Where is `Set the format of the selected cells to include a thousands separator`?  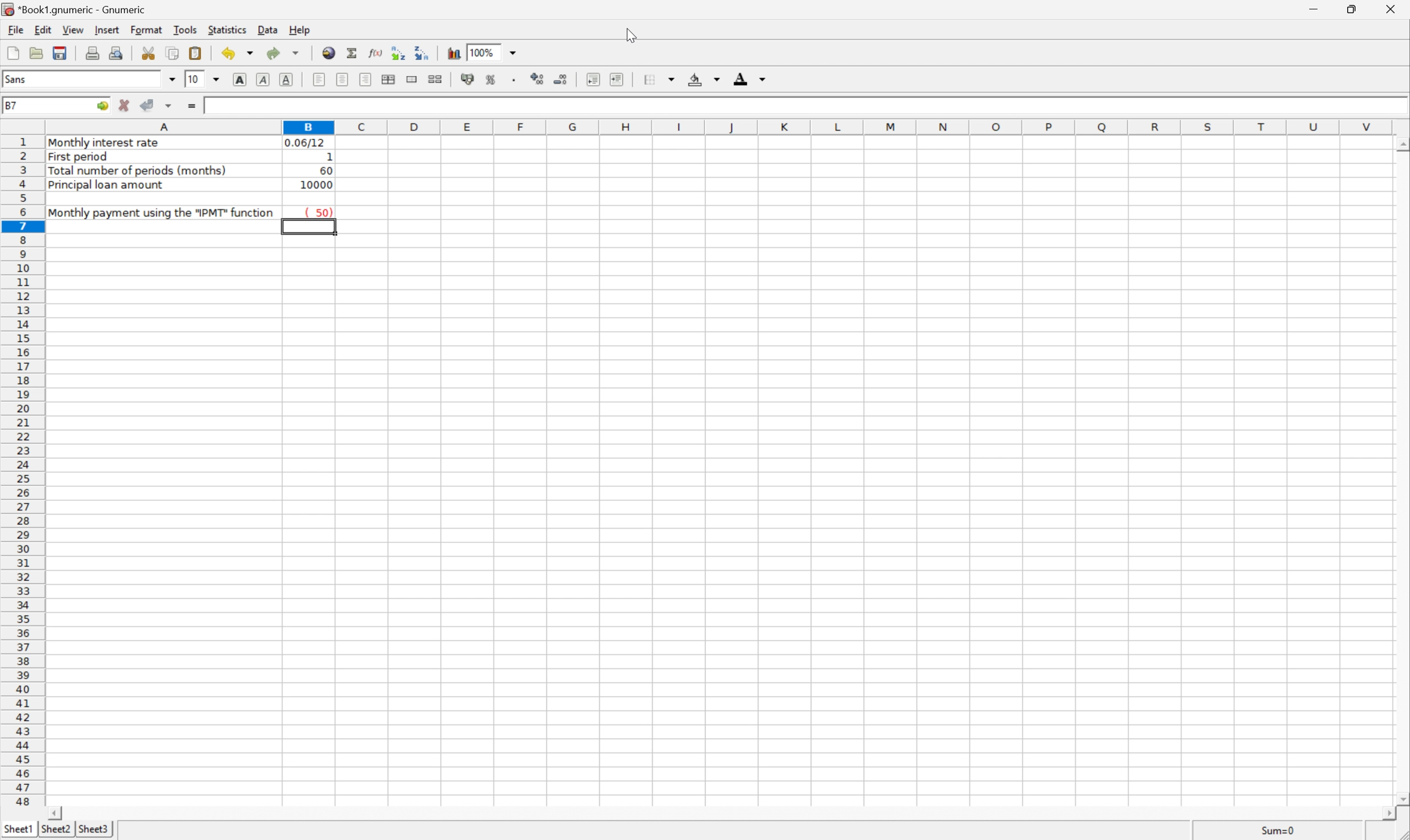 Set the format of the selected cells to include a thousands separator is located at coordinates (513, 79).